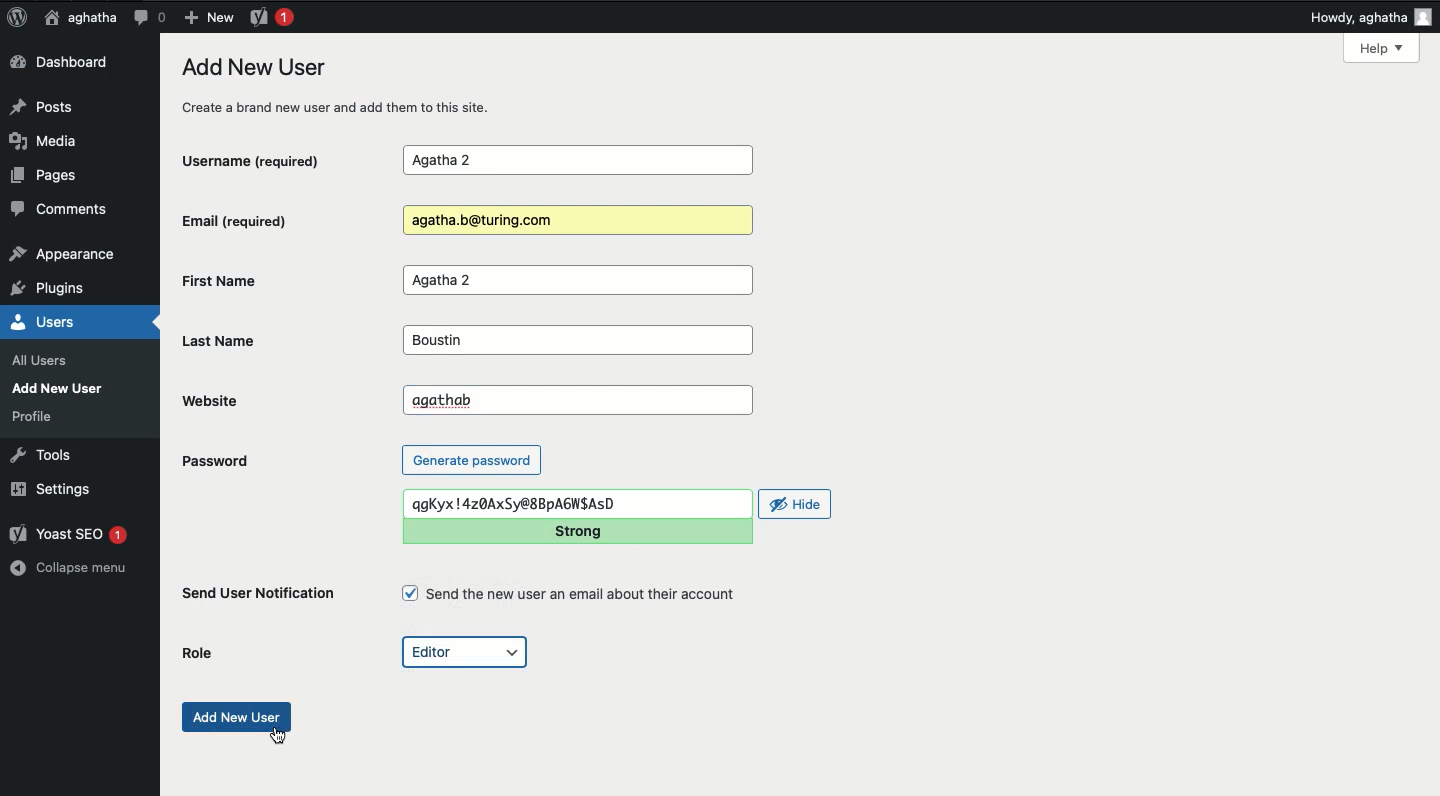  Describe the element at coordinates (17, 18) in the screenshot. I see `Logo` at that location.